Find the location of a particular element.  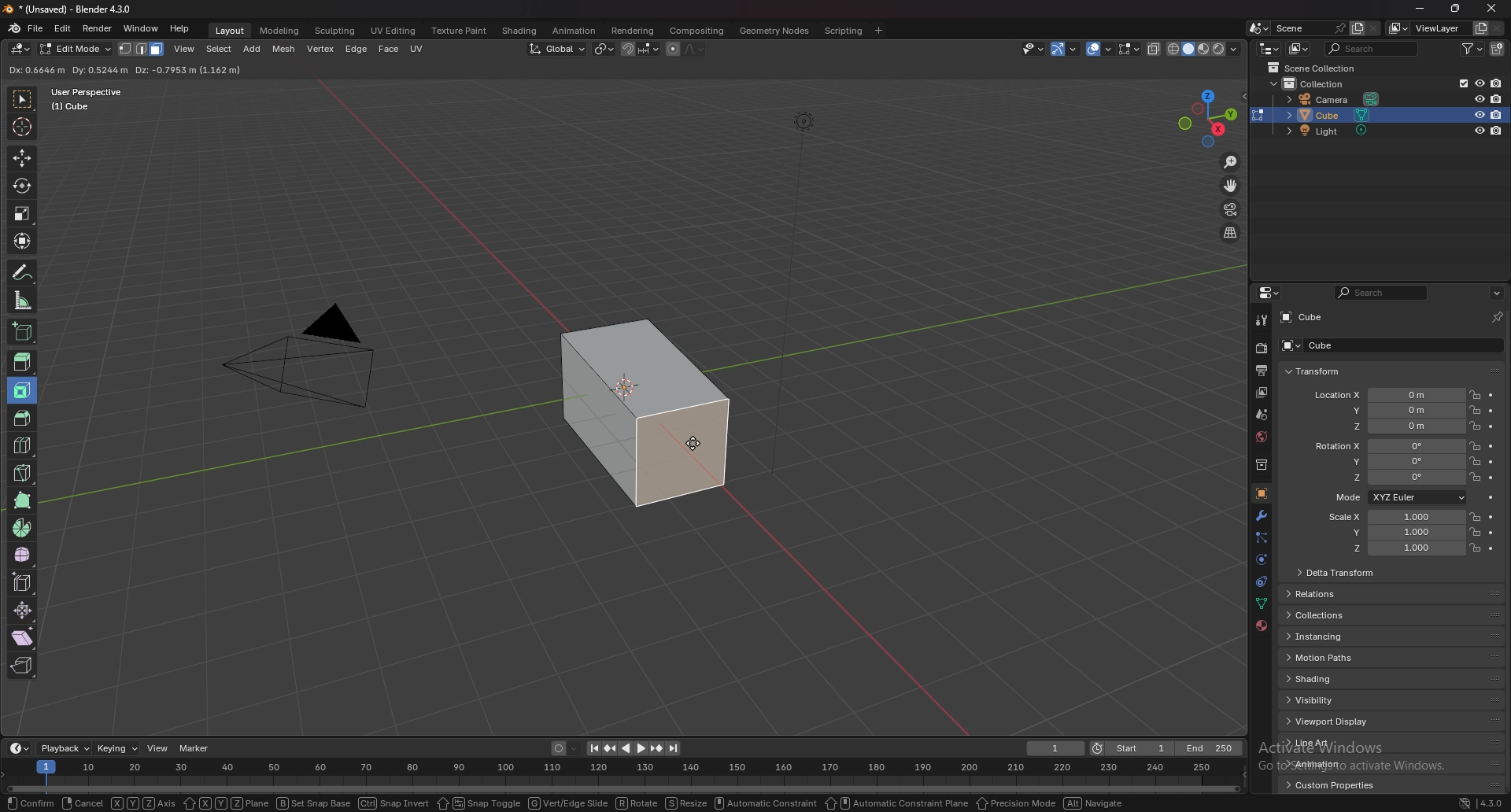

proportional editing falloff is located at coordinates (695, 49).